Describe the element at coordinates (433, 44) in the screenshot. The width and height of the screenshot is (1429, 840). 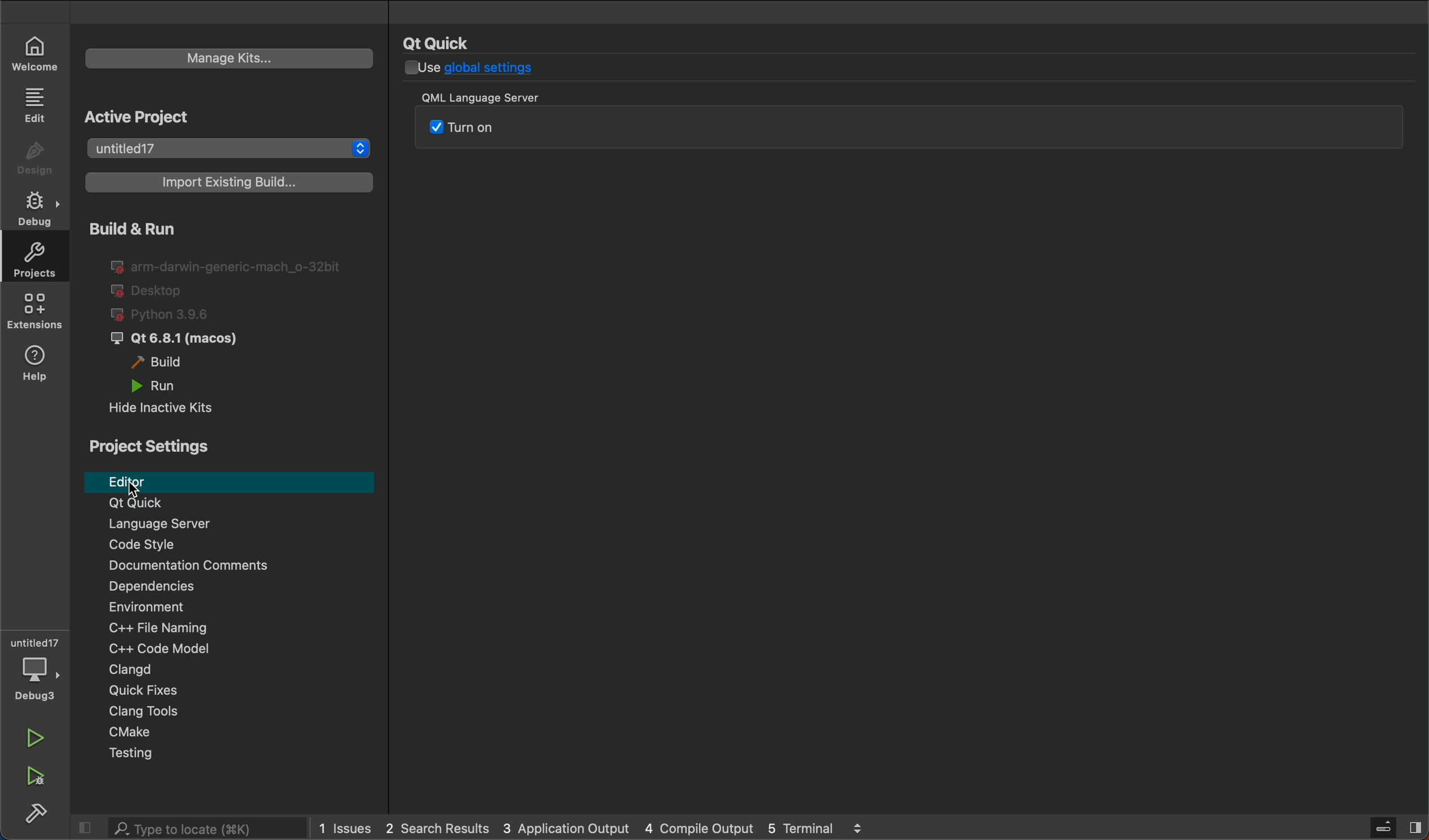
I see `name` at that location.